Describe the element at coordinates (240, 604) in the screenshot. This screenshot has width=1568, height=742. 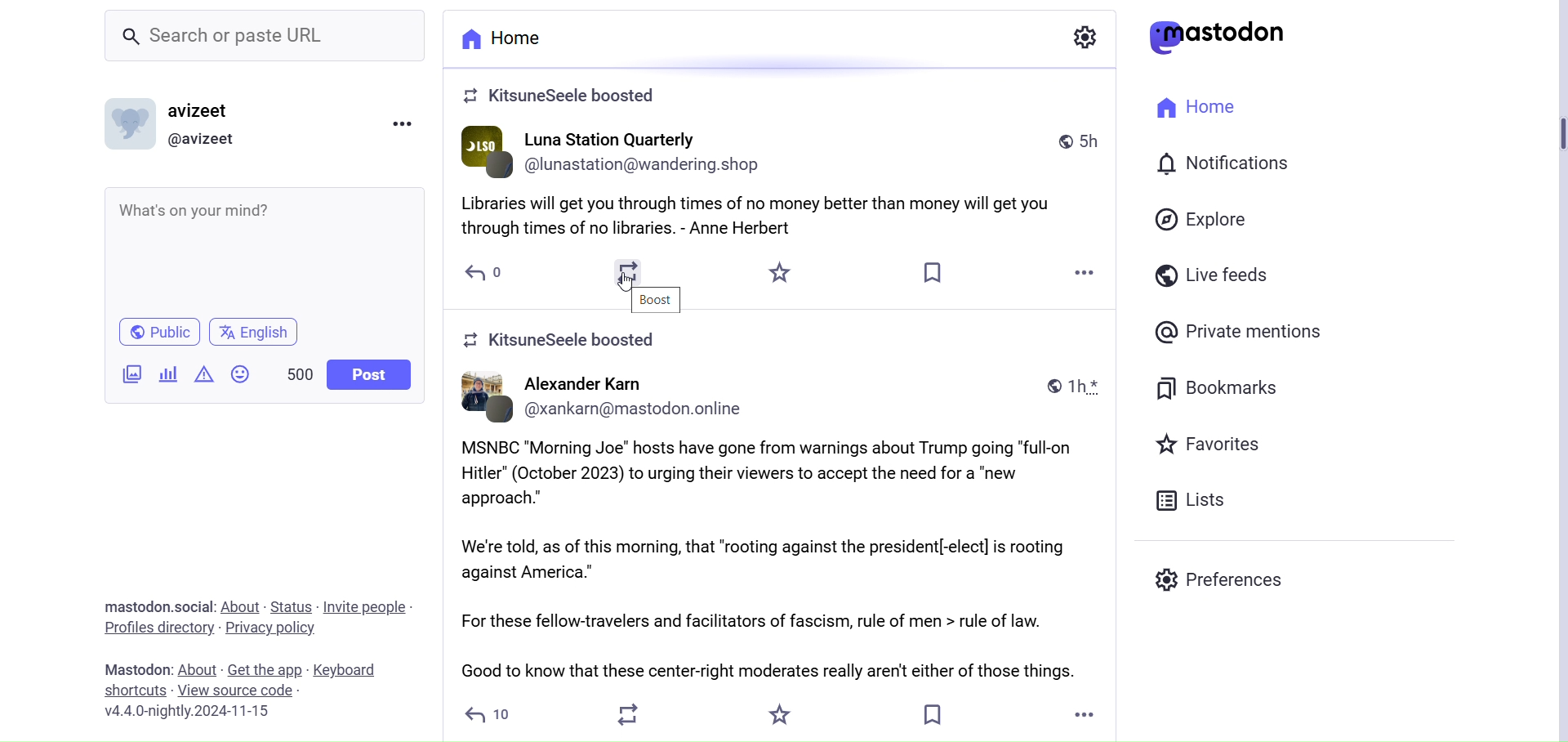
I see `About` at that location.